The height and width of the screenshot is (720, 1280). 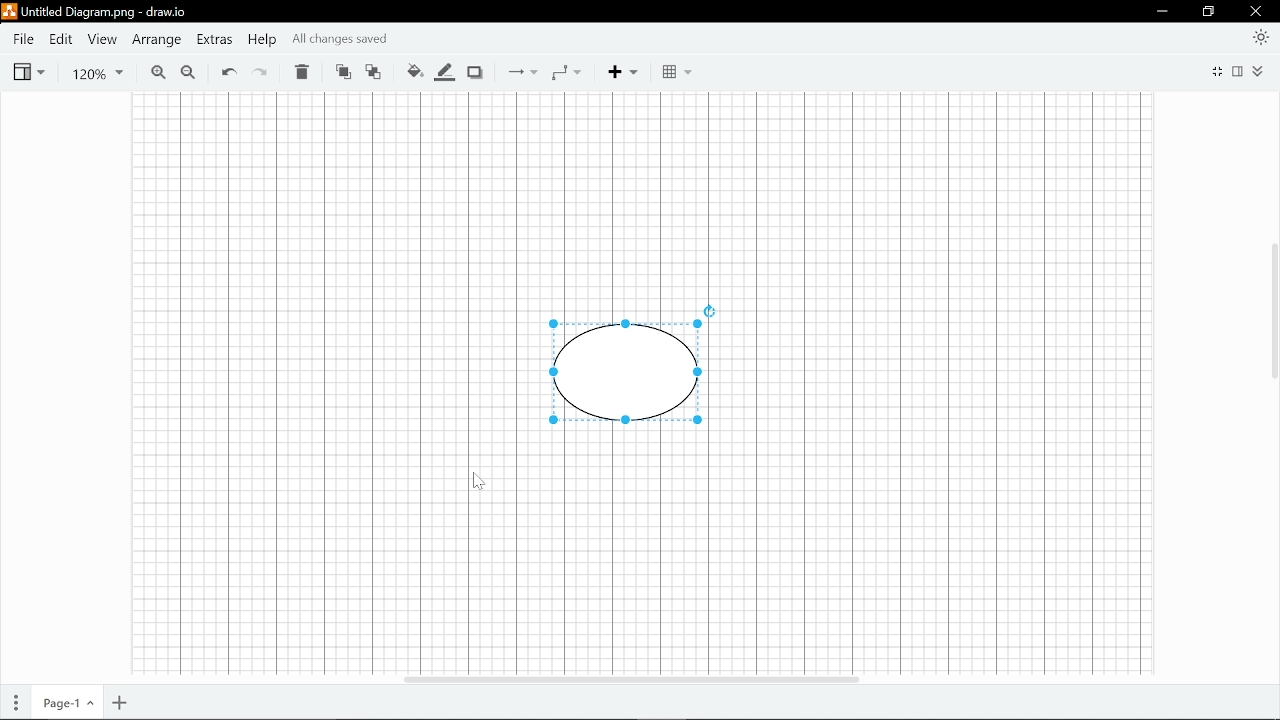 I want to click on Undo, so click(x=224, y=71).